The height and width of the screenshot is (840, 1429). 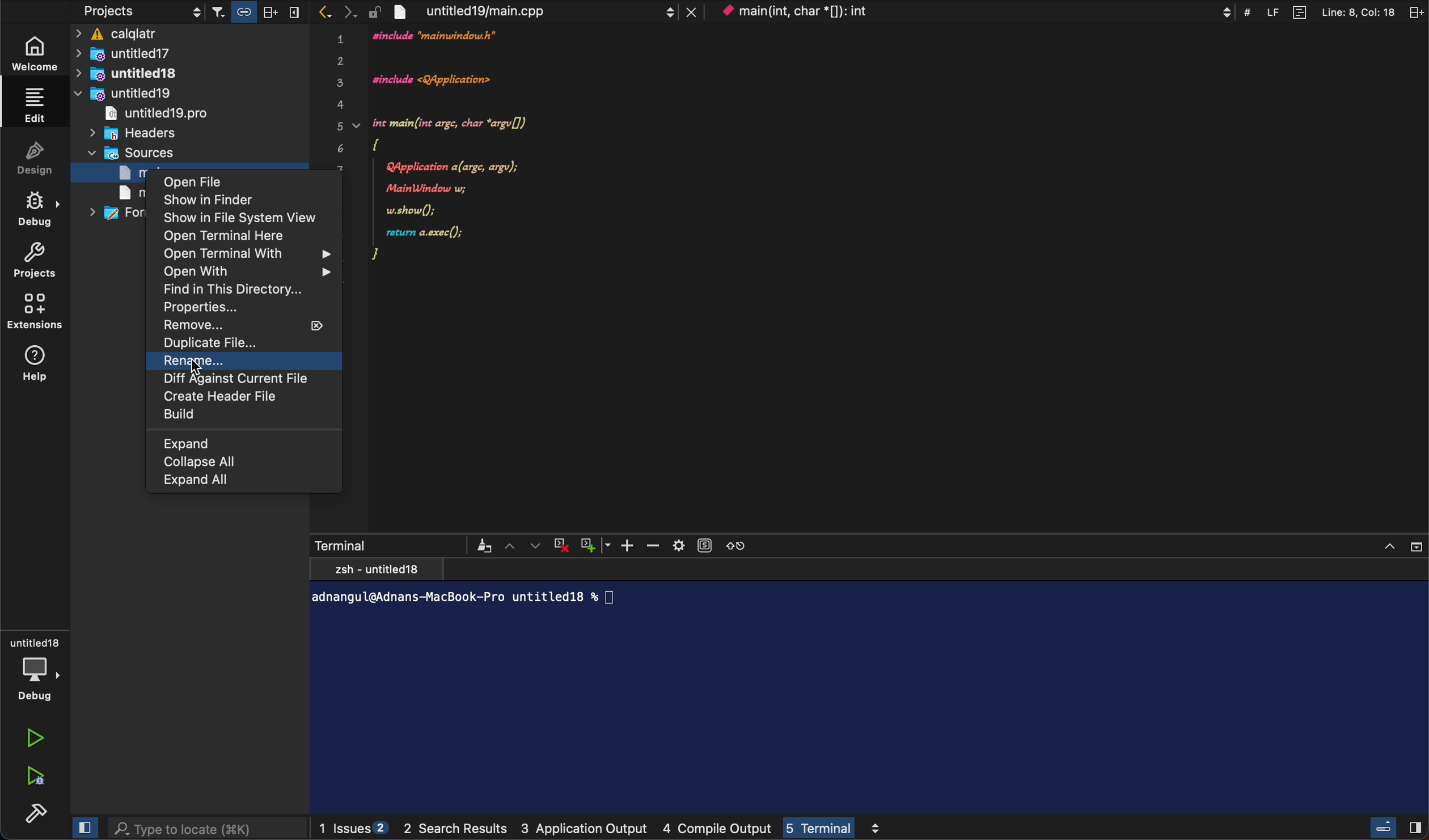 What do you see at coordinates (736, 544) in the screenshot?
I see `Refresh` at bounding box center [736, 544].